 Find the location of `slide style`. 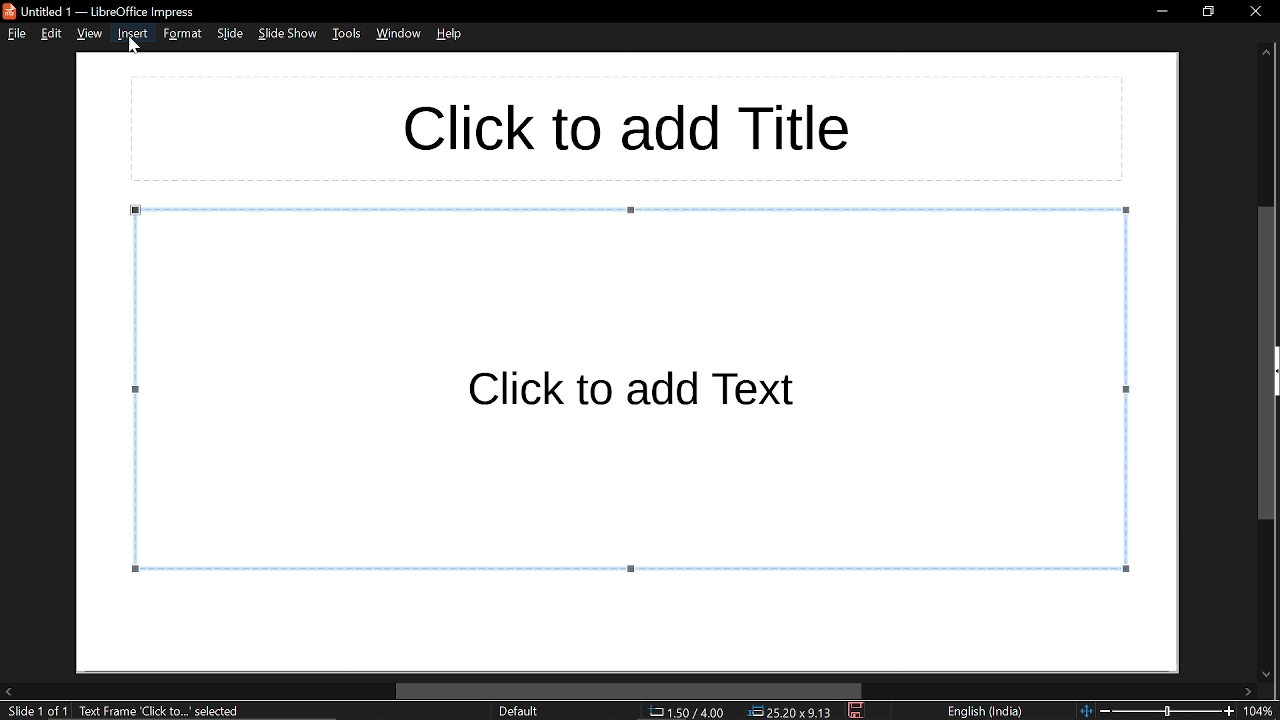

slide style is located at coordinates (518, 711).